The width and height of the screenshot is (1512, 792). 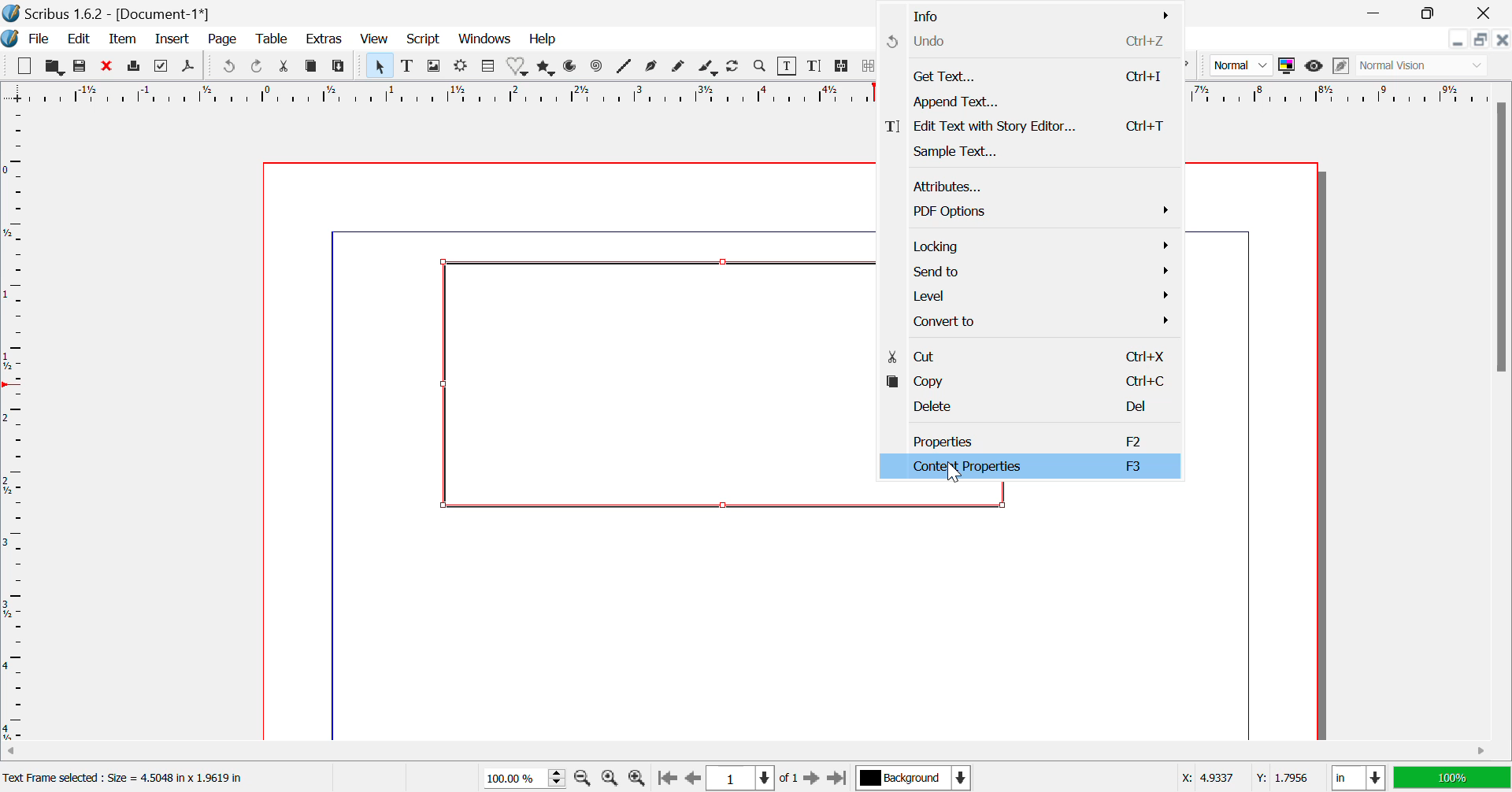 I want to click on Sample Text, so click(x=1028, y=154).